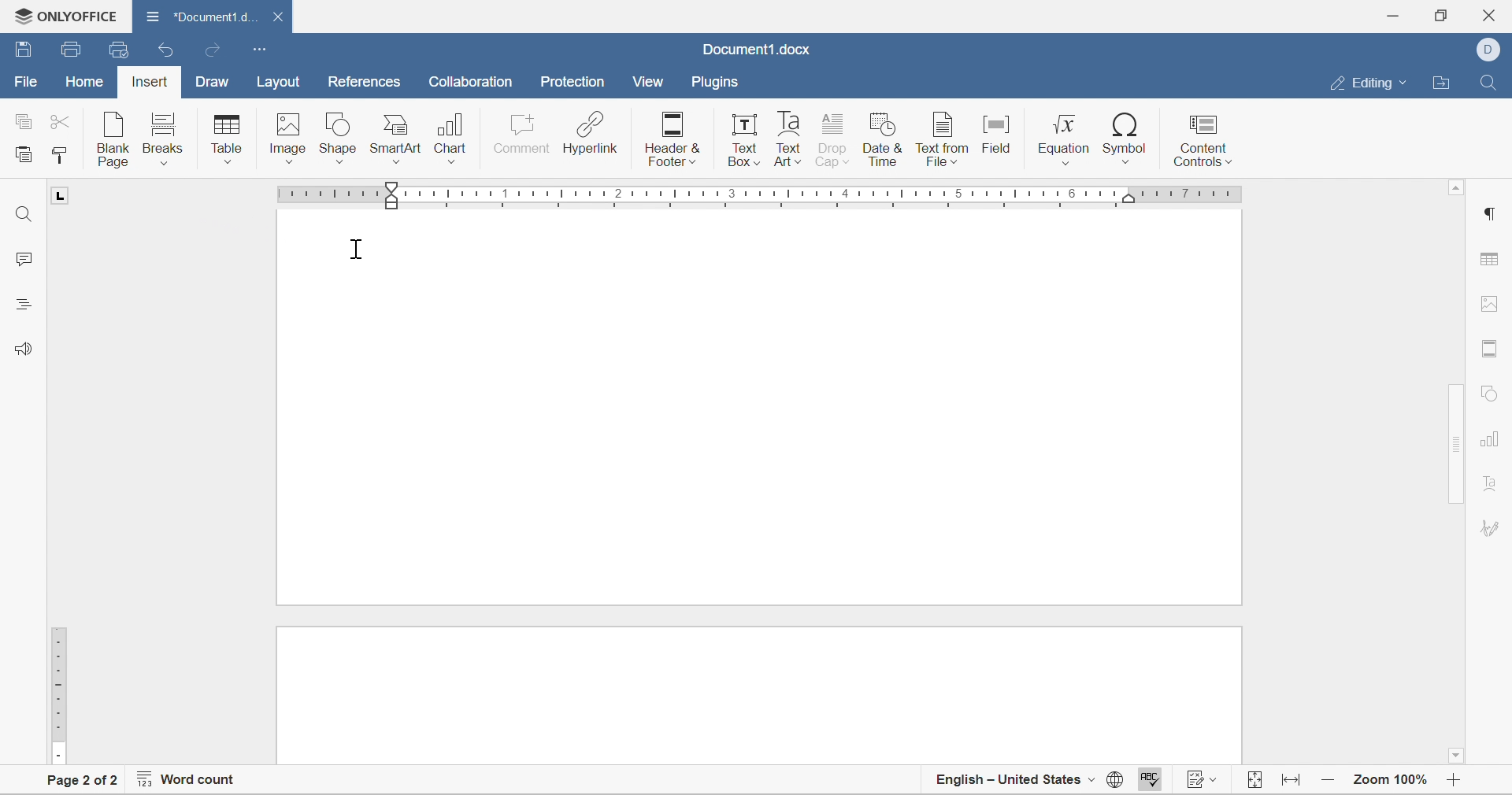 This screenshot has width=1512, height=795. Describe the element at coordinates (1488, 444) in the screenshot. I see `Chart settings` at that location.